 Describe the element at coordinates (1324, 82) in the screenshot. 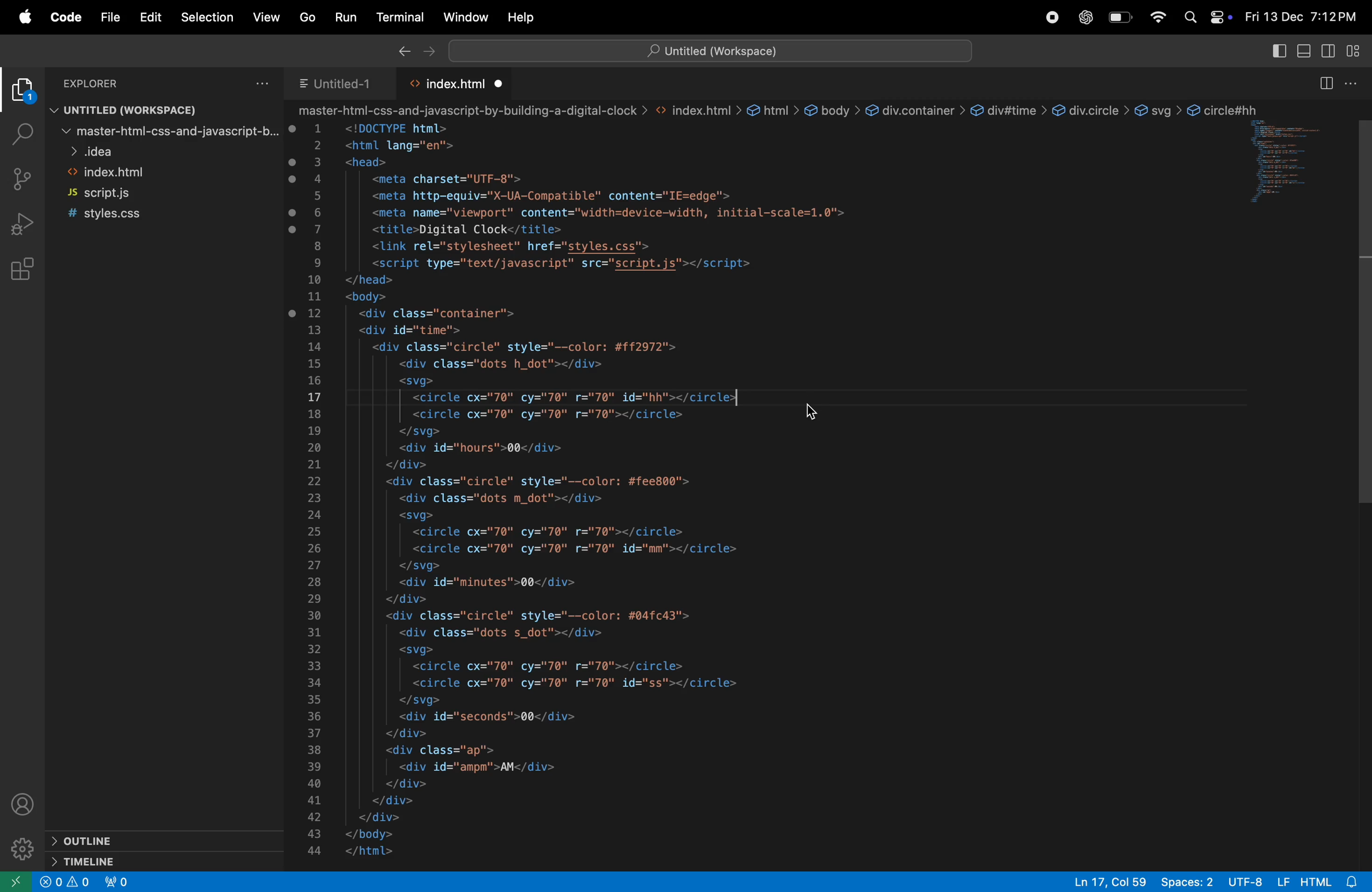

I see `split editor` at that location.